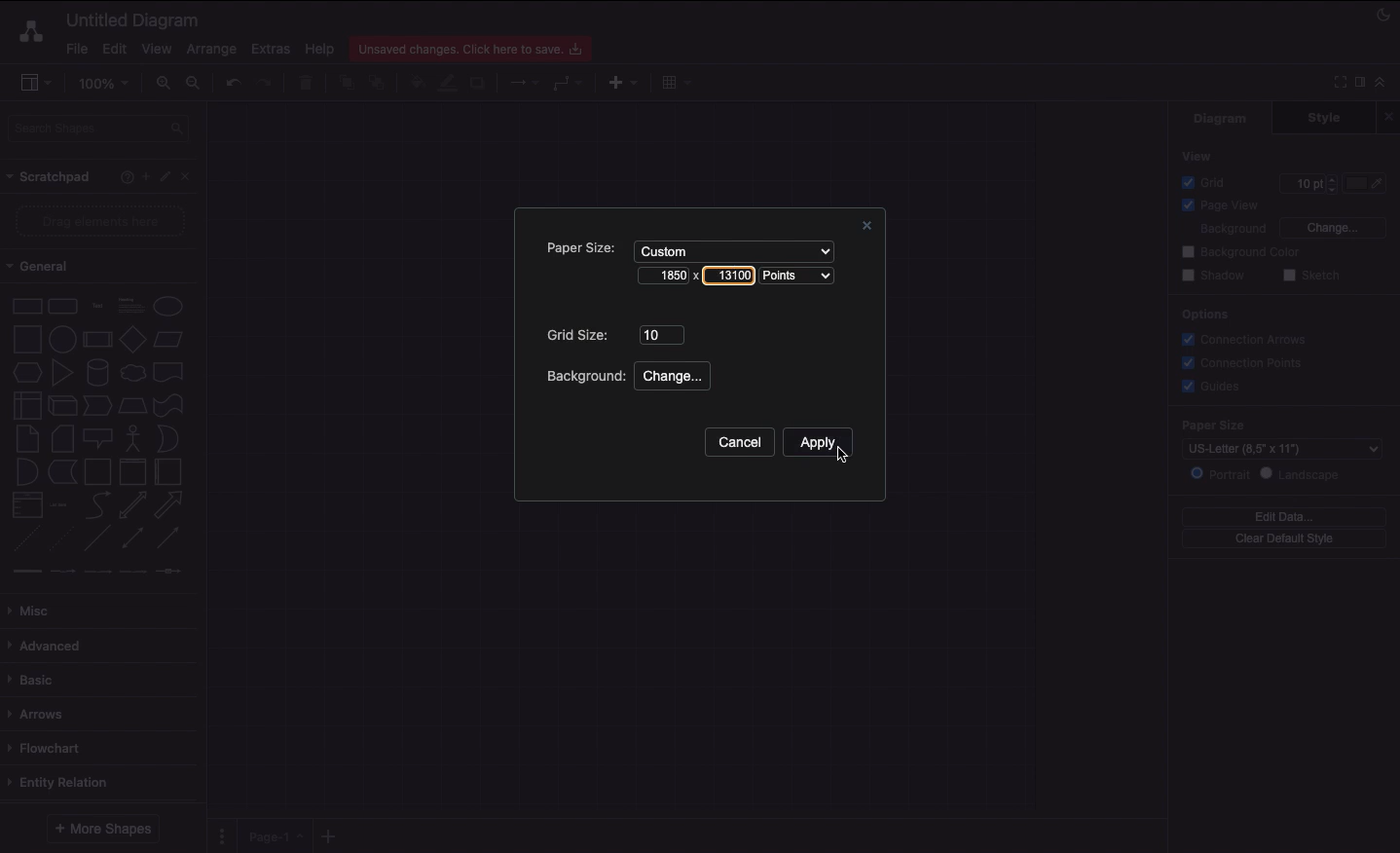  What do you see at coordinates (212, 50) in the screenshot?
I see `Arrange` at bounding box center [212, 50].